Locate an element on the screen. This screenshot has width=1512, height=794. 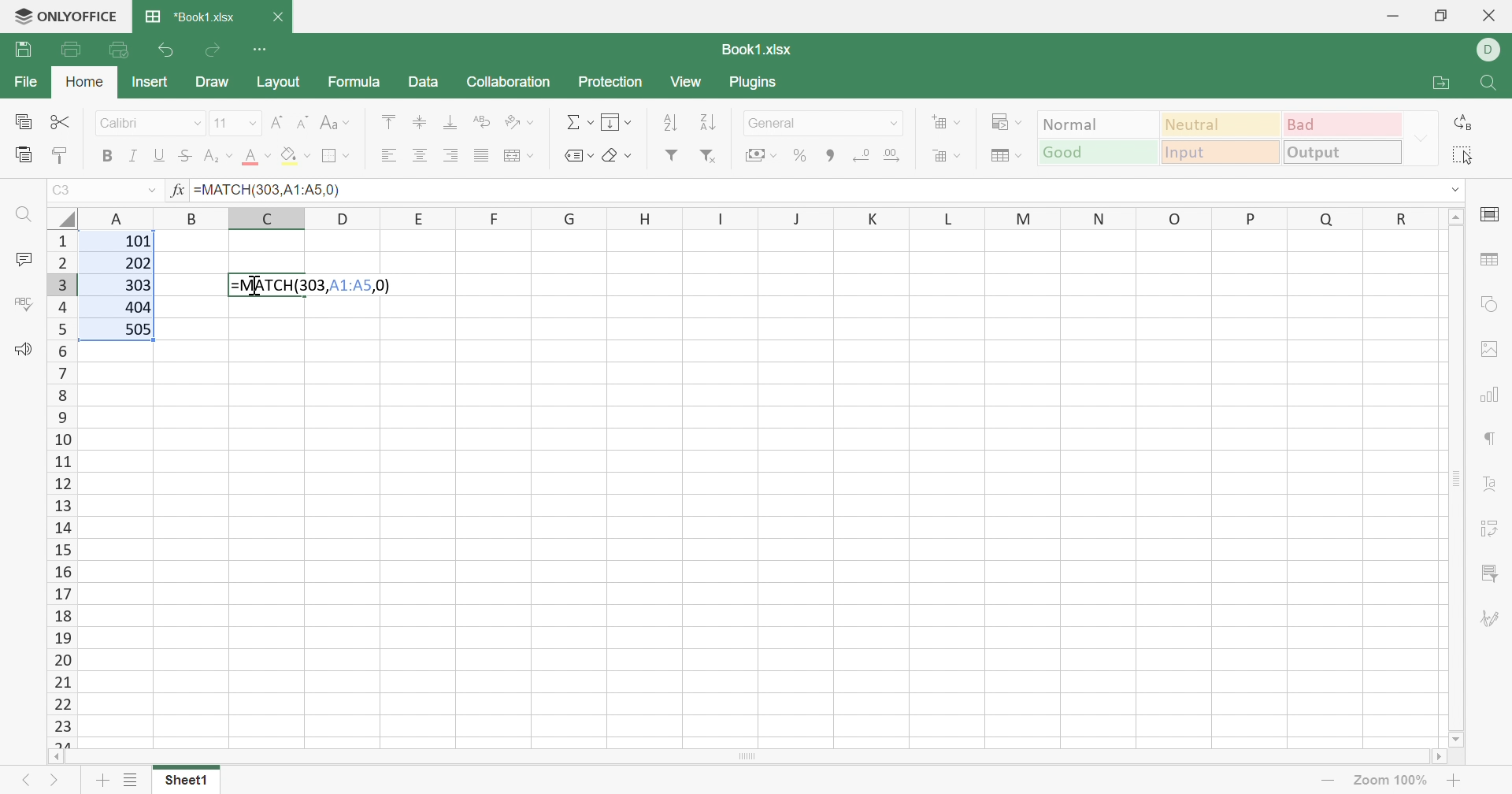
C3 is located at coordinates (64, 190).